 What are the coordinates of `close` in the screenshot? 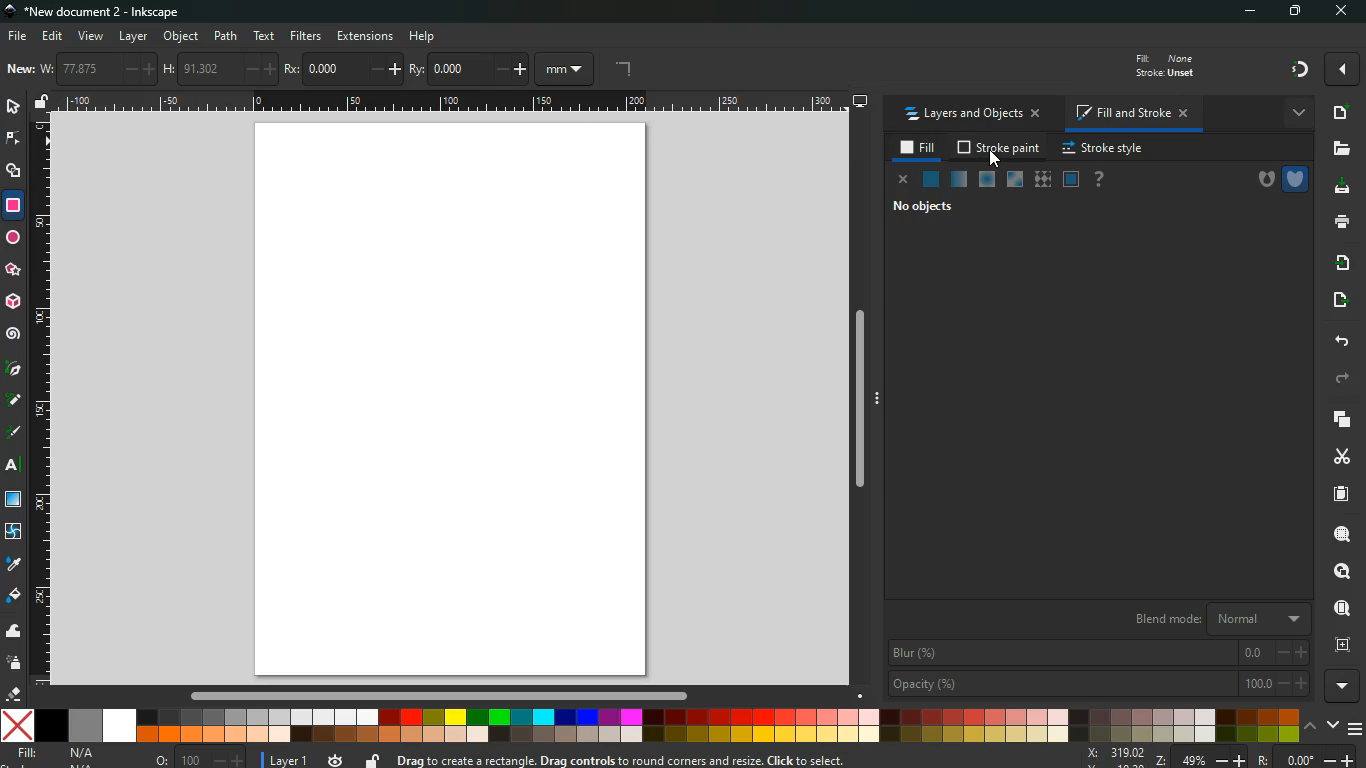 It's located at (901, 181).